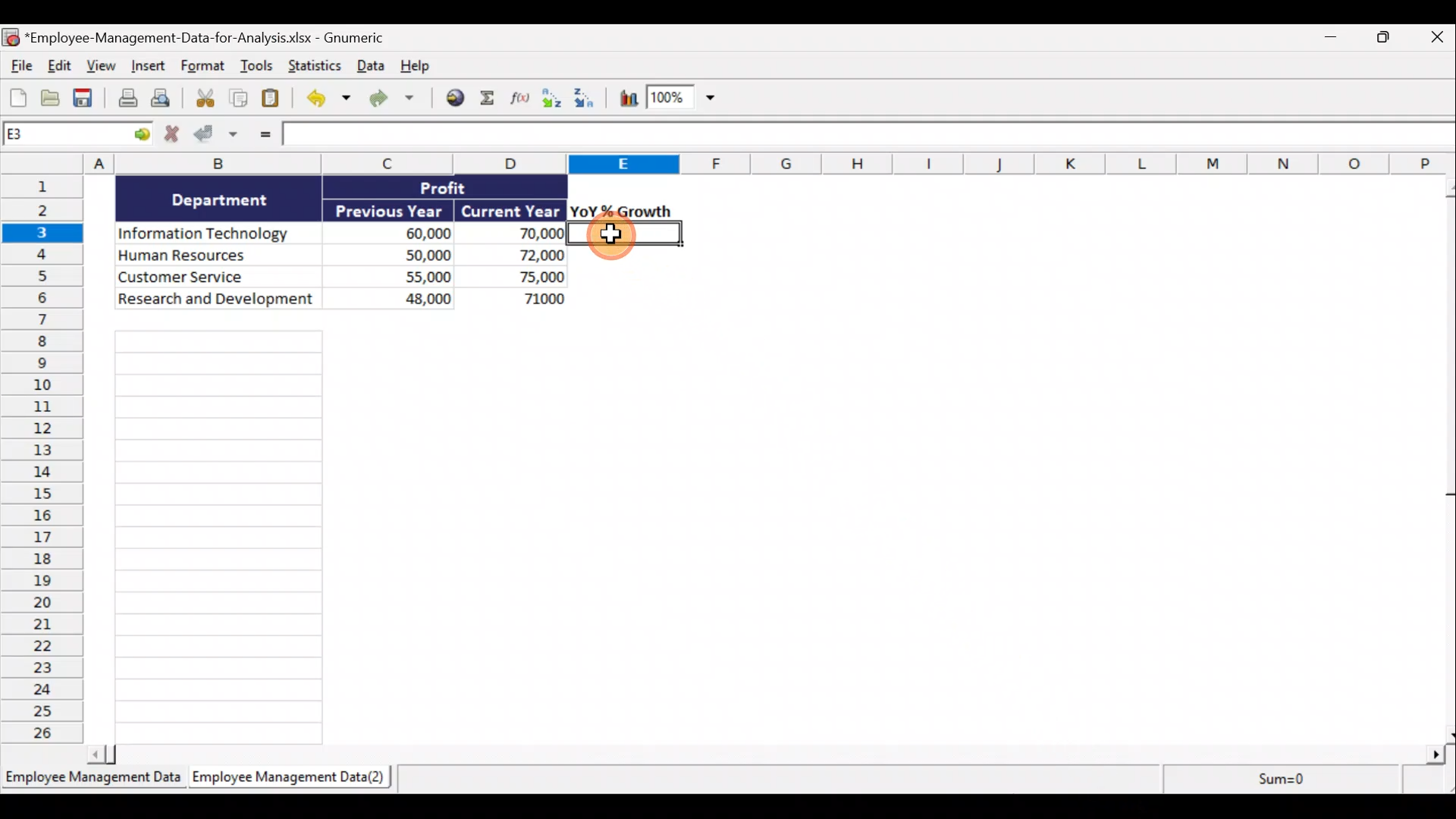 The height and width of the screenshot is (819, 1456). I want to click on Insert, so click(146, 67).